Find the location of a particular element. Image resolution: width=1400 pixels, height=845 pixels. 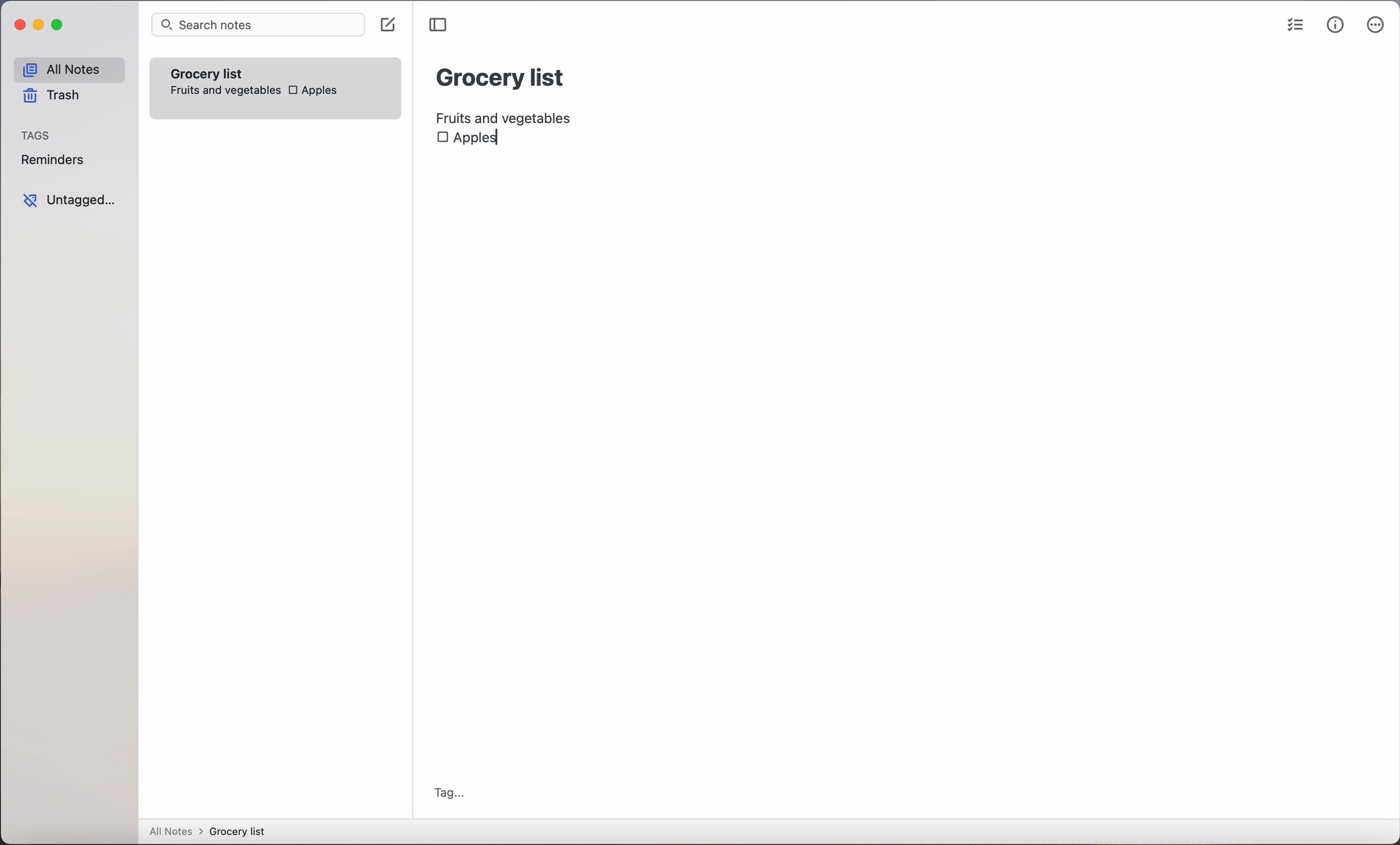

click on create note is located at coordinates (390, 26).